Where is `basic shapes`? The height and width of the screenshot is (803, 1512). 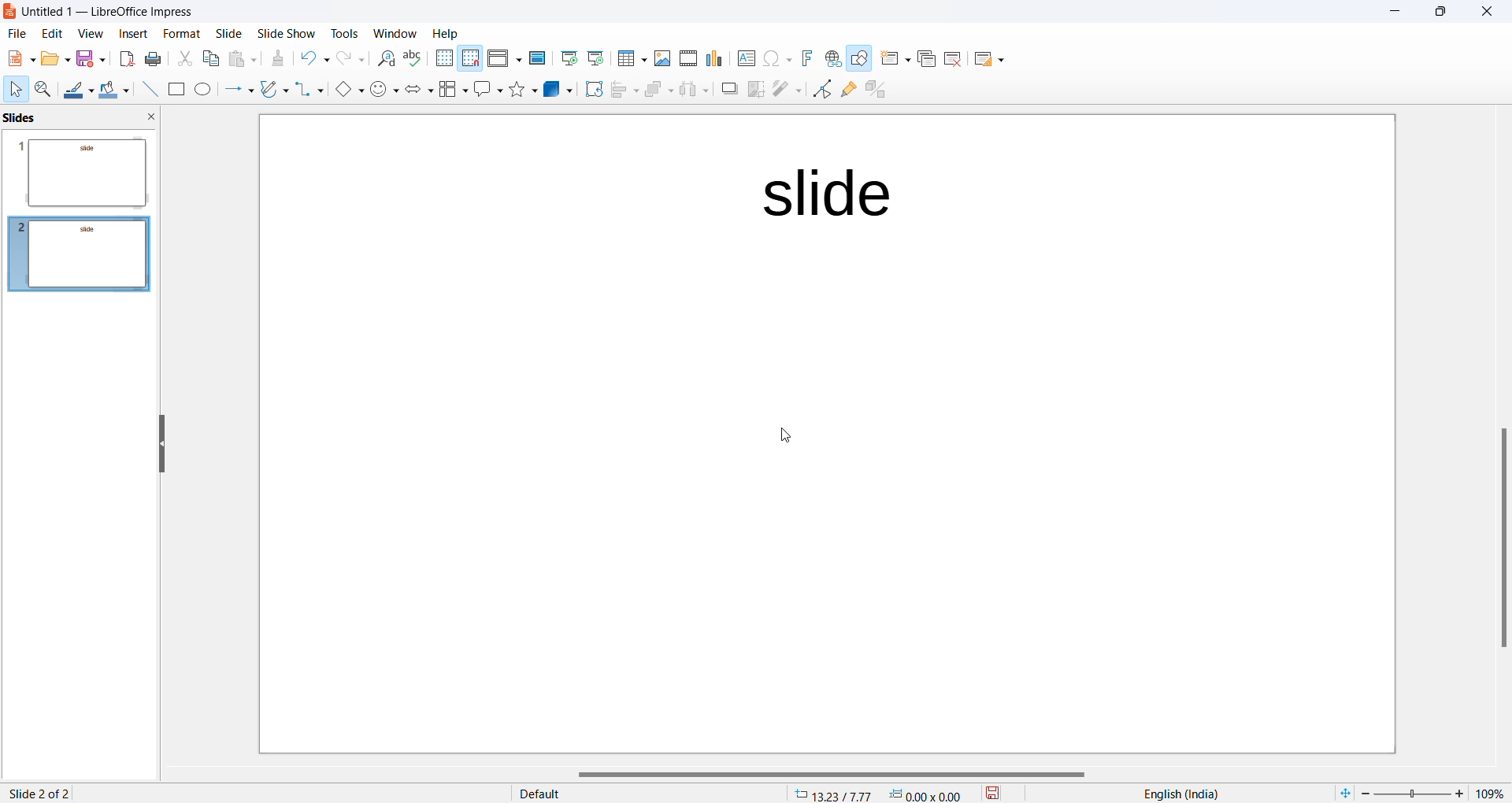
basic shapes is located at coordinates (344, 88).